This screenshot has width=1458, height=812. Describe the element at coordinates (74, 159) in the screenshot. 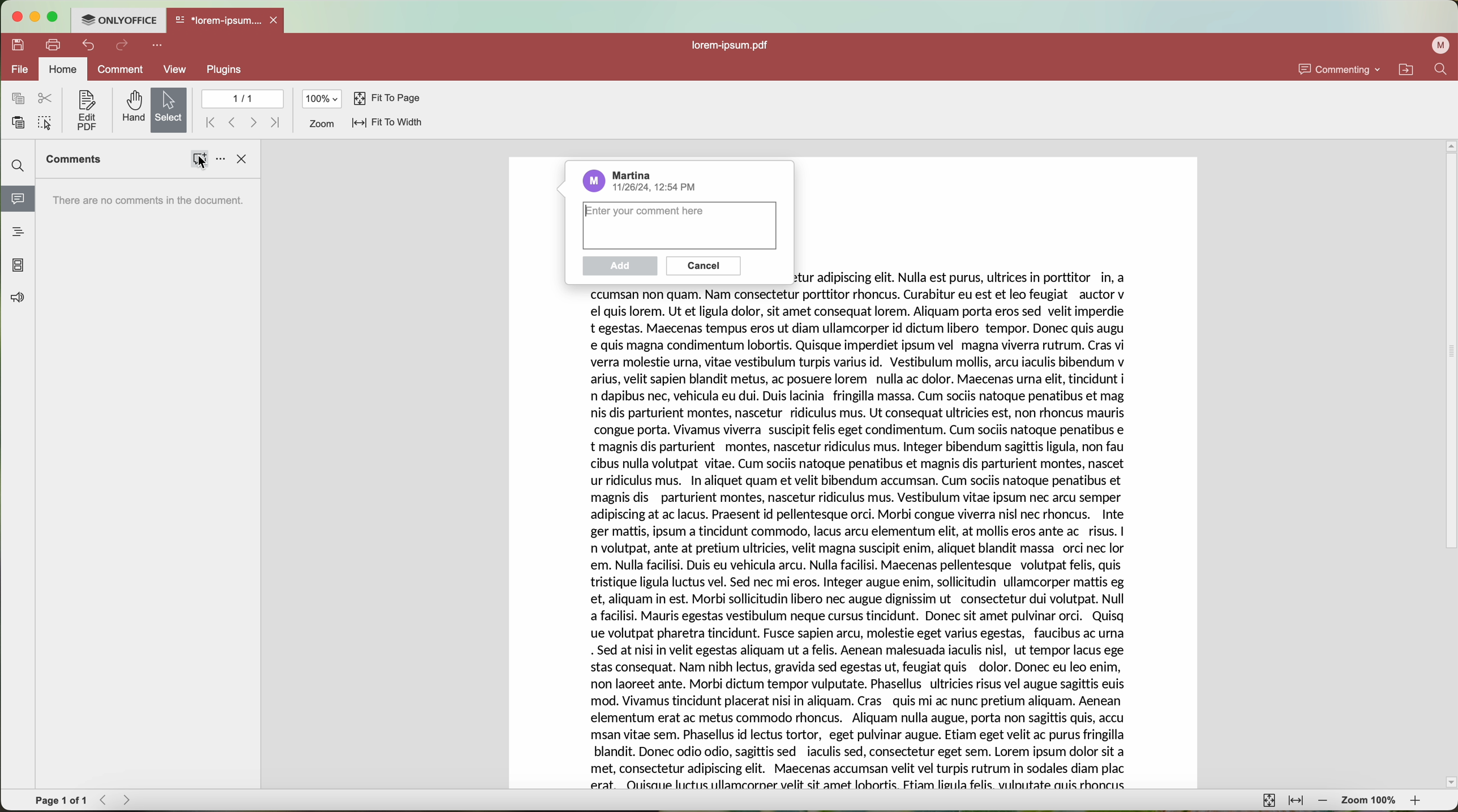

I see `comments` at that location.